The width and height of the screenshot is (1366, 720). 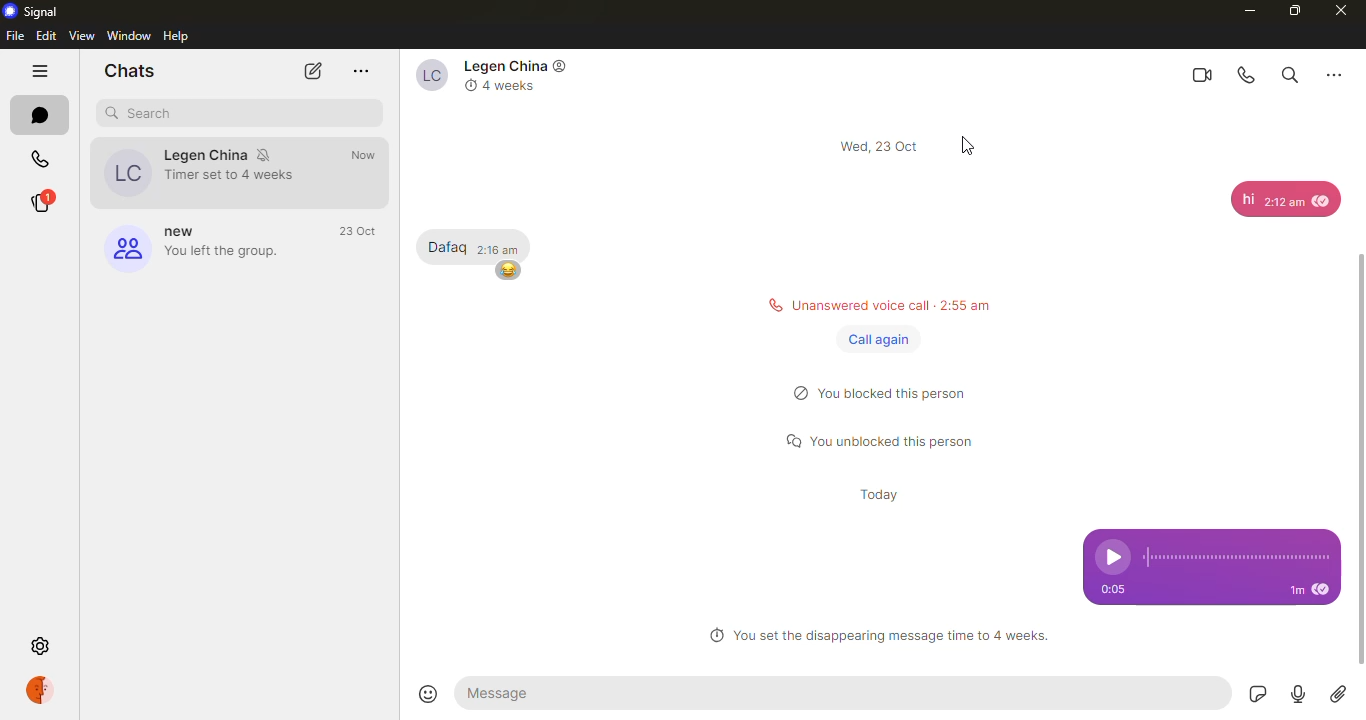 What do you see at coordinates (1201, 74) in the screenshot?
I see `video call` at bounding box center [1201, 74].